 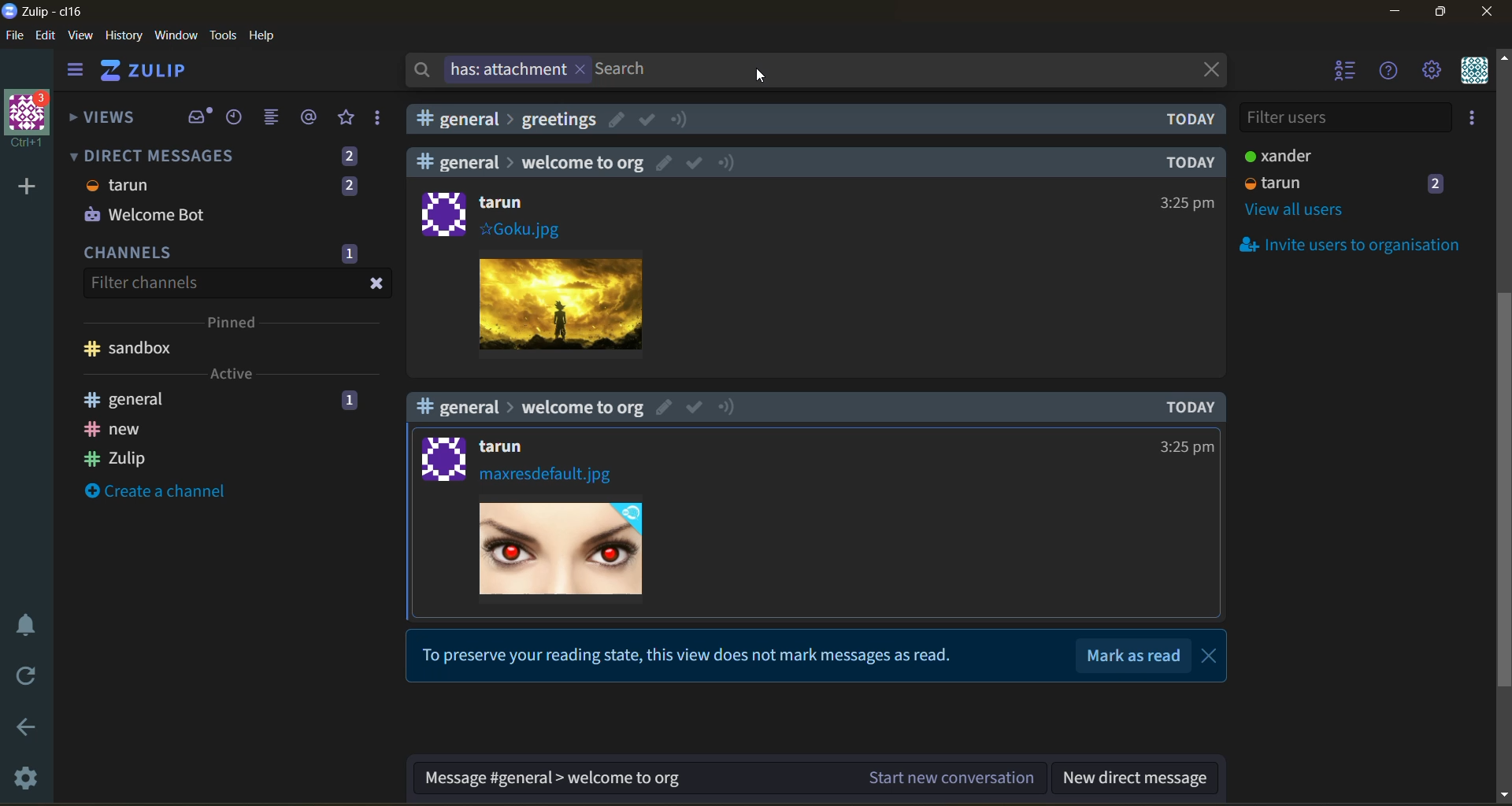 What do you see at coordinates (565, 549) in the screenshot?
I see `Image` at bounding box center [565, 549].